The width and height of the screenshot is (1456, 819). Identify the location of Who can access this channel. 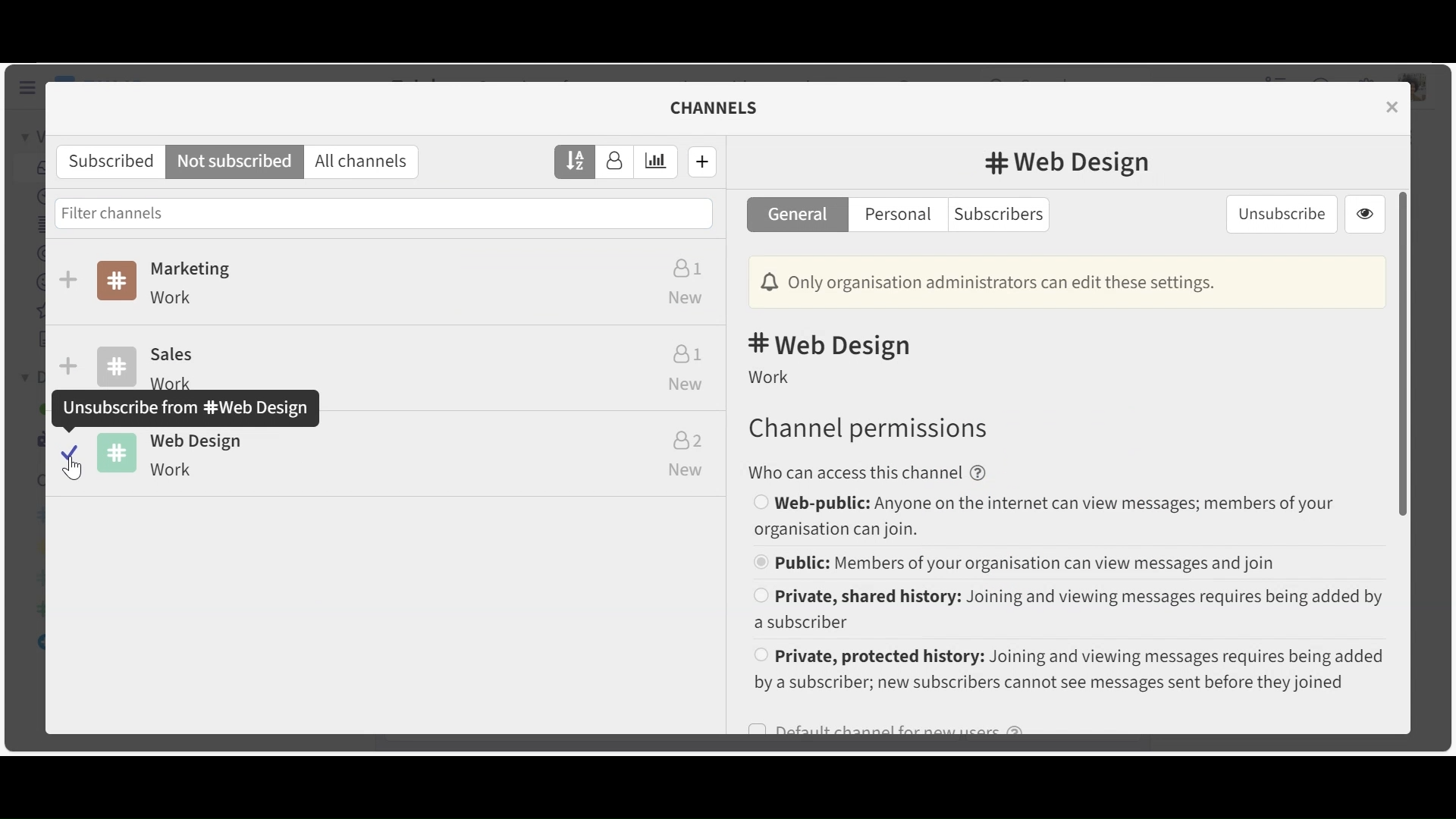
(868, 472).